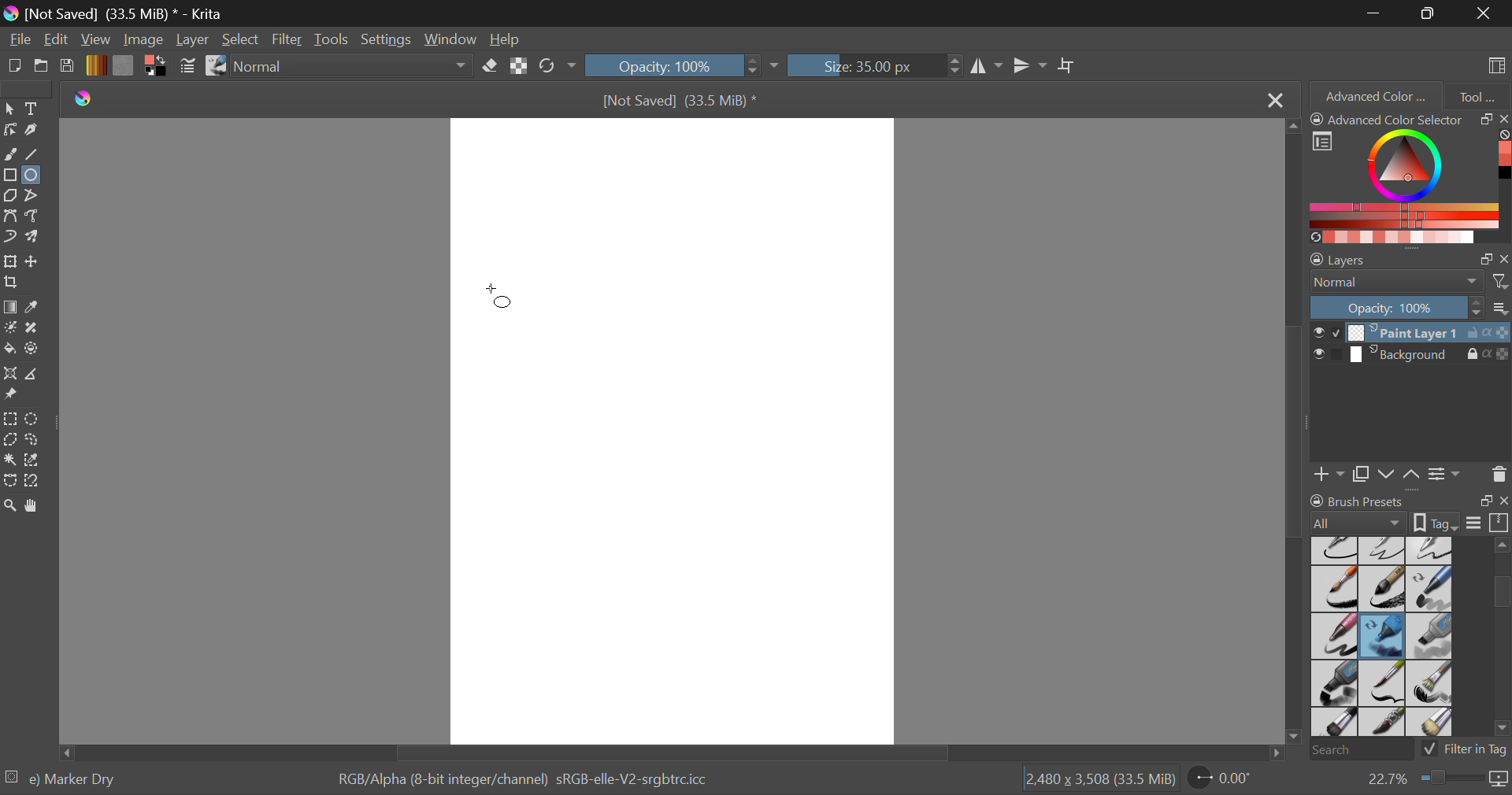 Image resolution: width=1512 pixels, height=795 pixels. Describe the element at coordinates (1431, 636) in the screenshot. I see `Marker Medium` at that location.